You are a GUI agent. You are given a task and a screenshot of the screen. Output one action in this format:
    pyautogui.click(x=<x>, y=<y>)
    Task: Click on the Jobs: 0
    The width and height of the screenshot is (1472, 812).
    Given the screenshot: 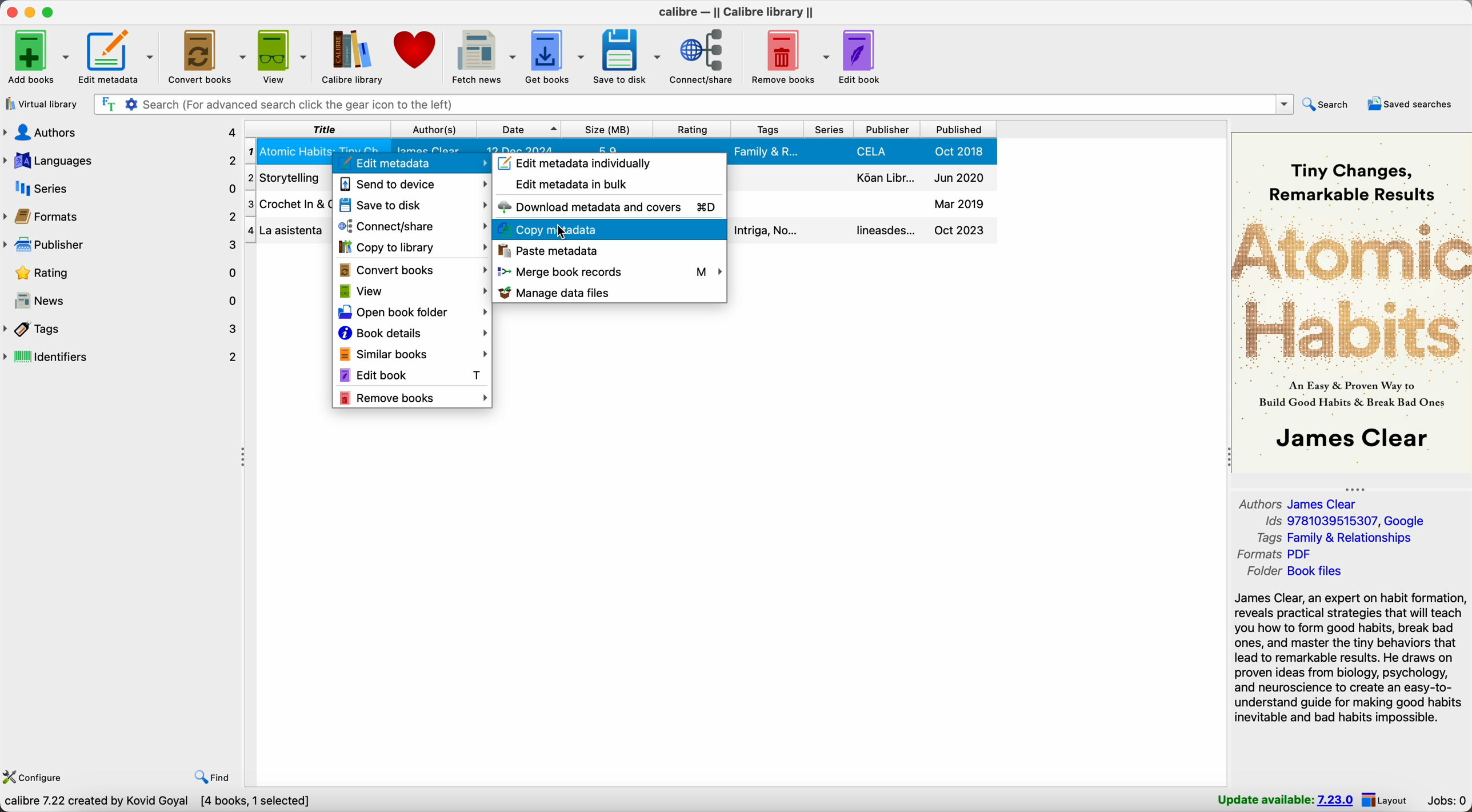 What is the action you would take?
    pyautogui.click(x=1449, y=800)
    